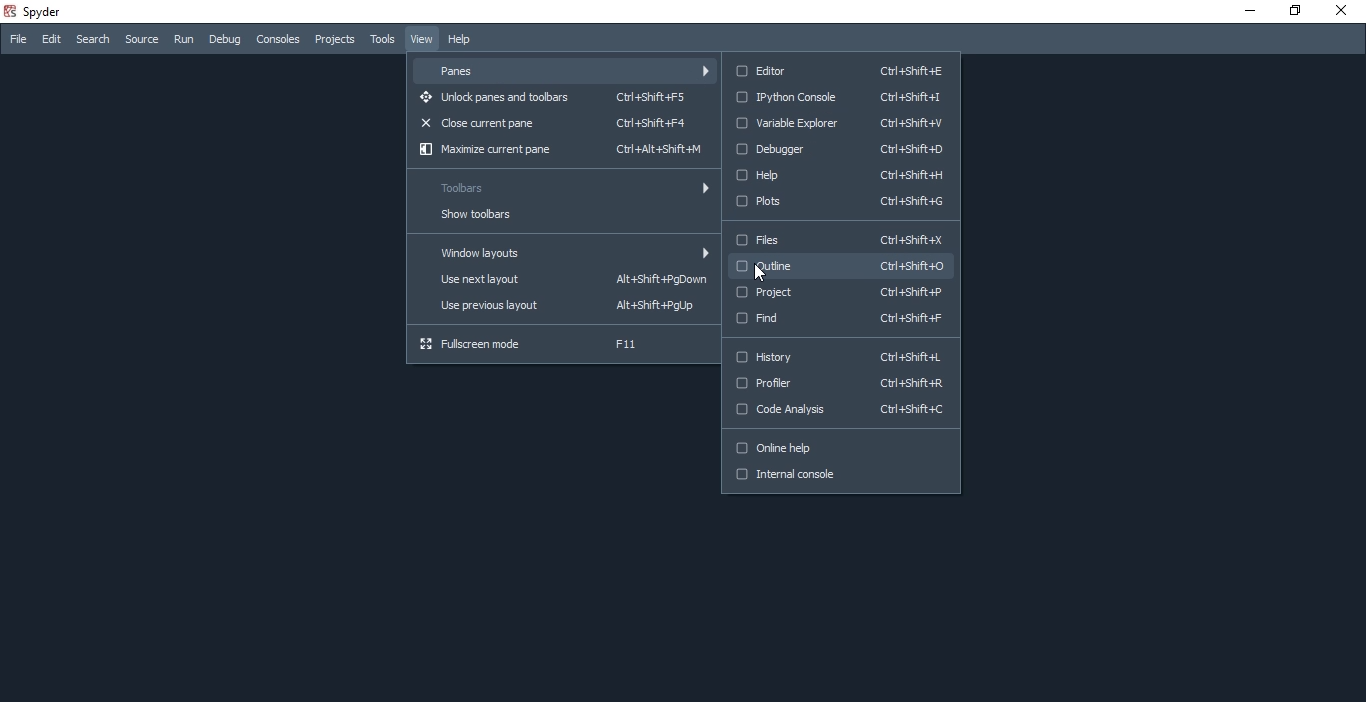 This screenshot has height=702, width=1366. What do you see at coordinates (562, 307) in the screenshot?
I see `Use previous layout` at bounding box center [562, 307].